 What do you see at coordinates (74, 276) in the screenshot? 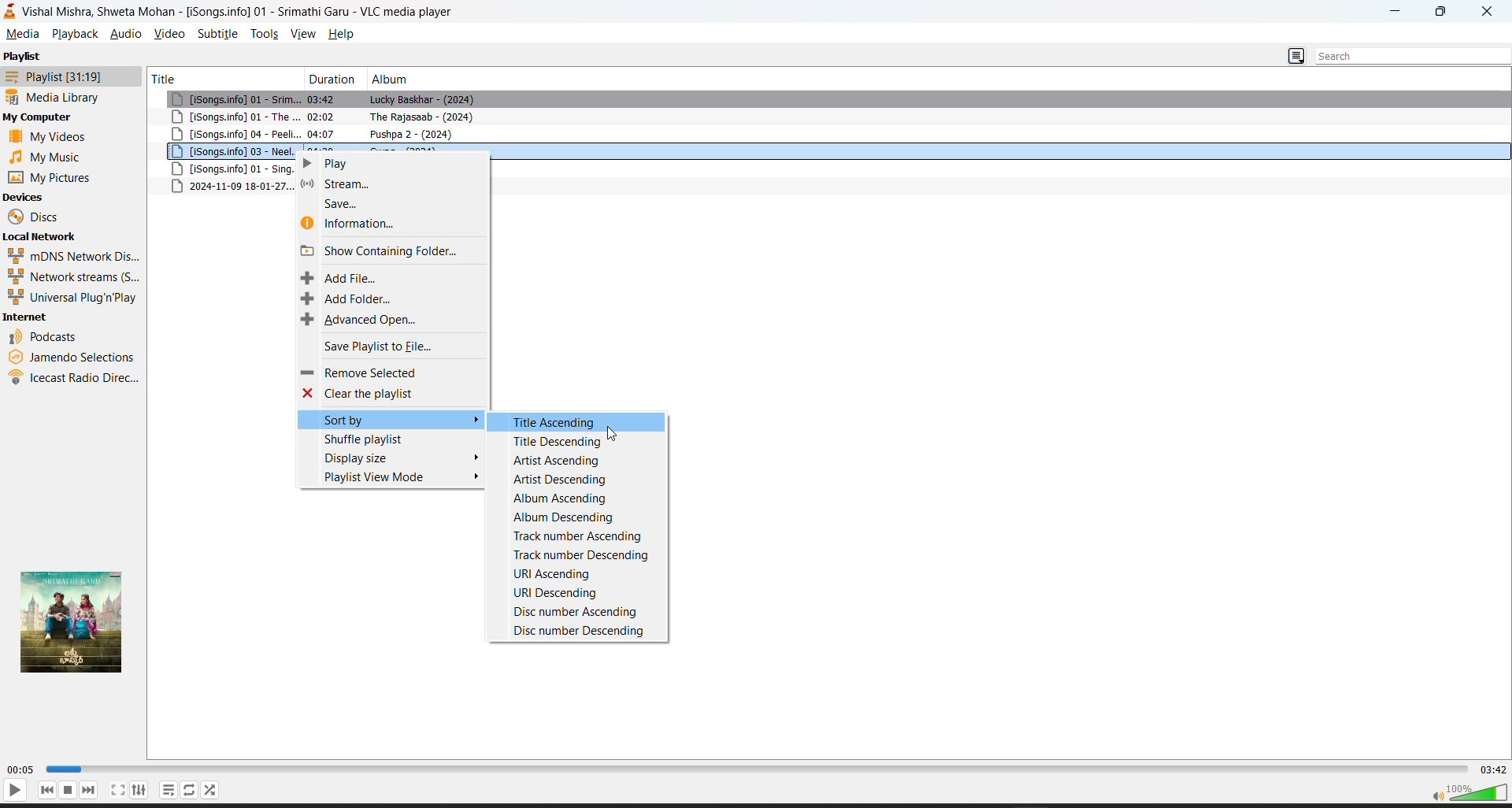
I see `network streams` at bounding box center [74, 276].